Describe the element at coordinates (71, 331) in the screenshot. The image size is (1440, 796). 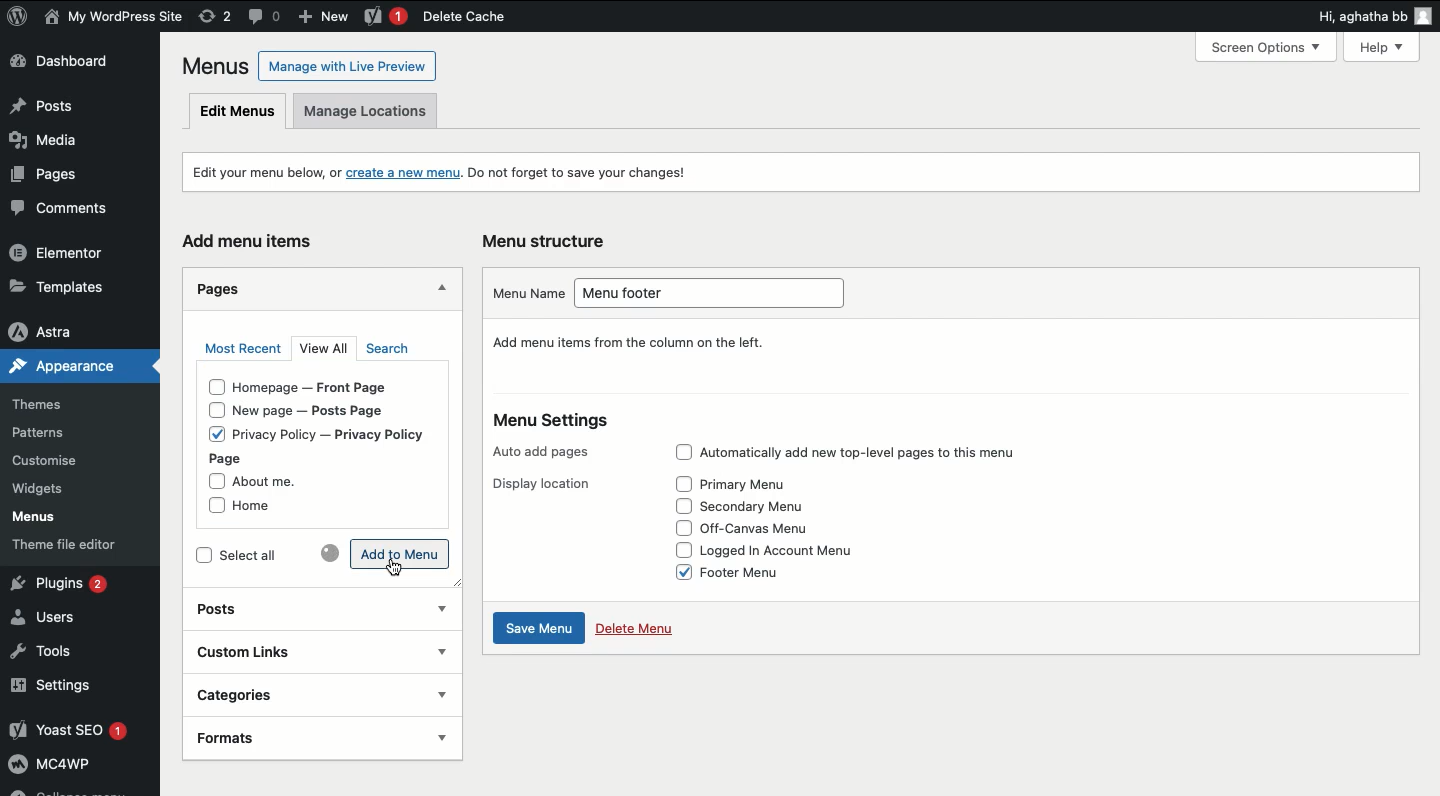
I see `Astra` at that location.